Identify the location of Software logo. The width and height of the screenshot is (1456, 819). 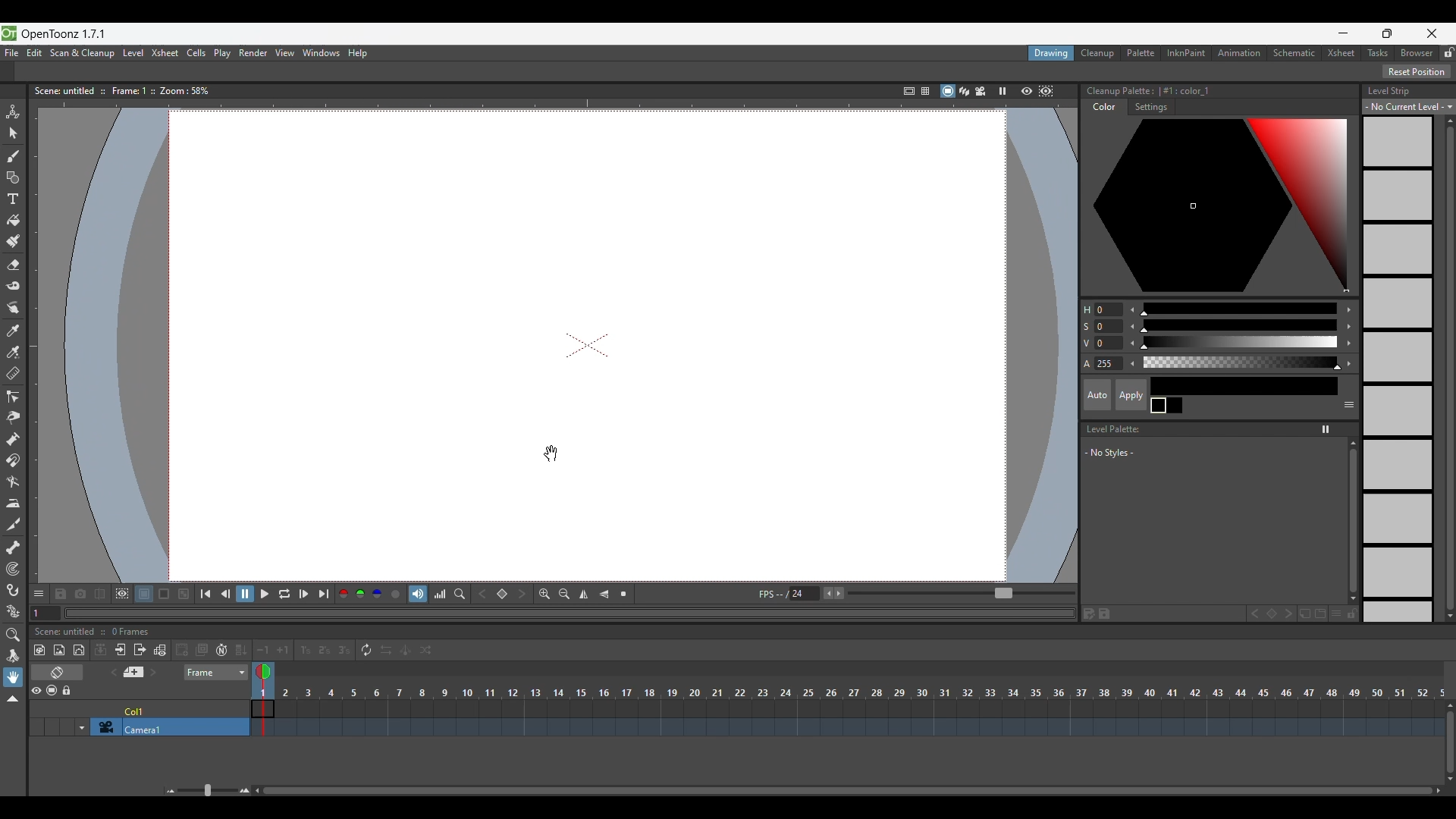
(10, 33).